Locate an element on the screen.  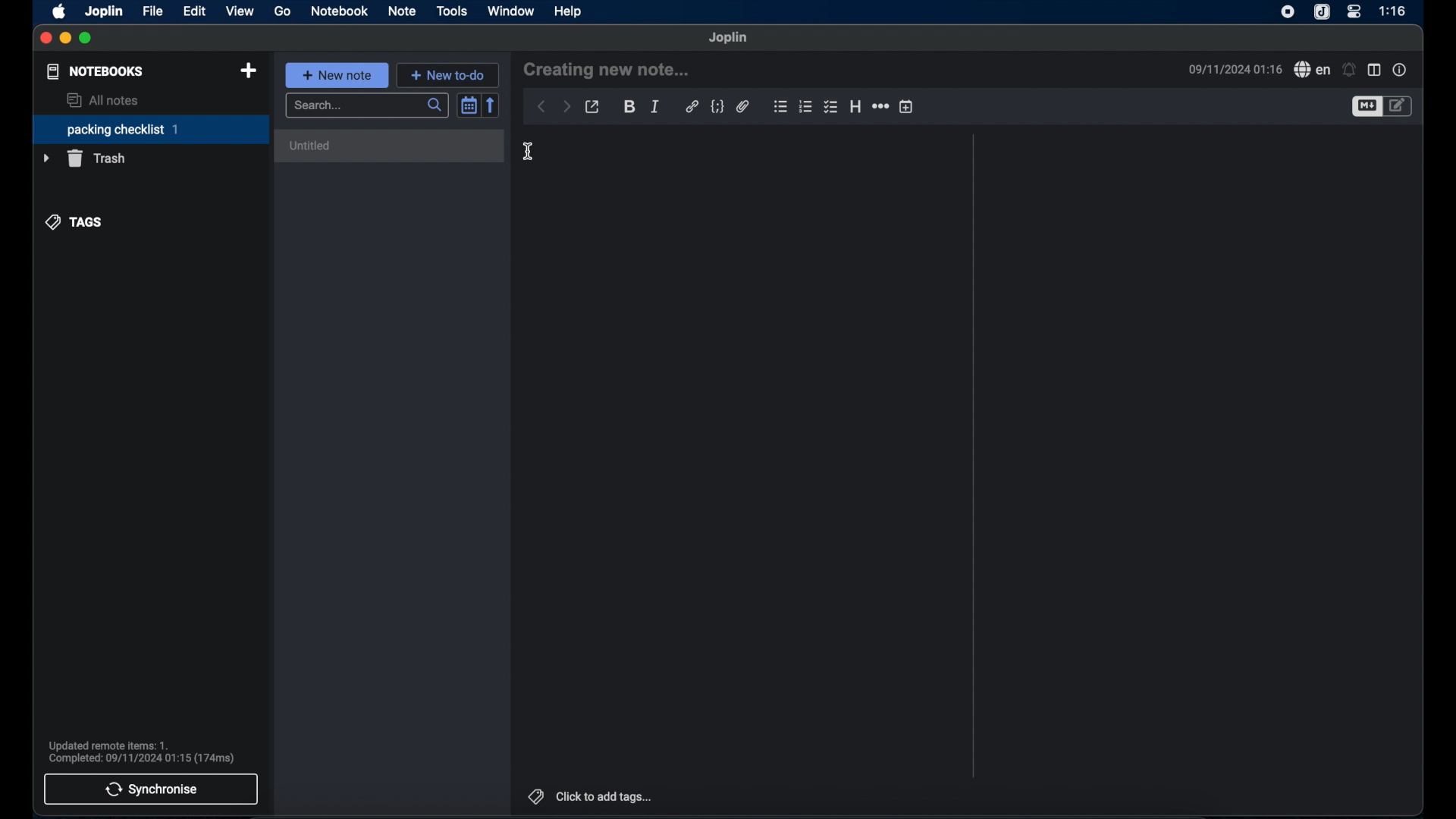
Updated remote items: 1.
Completed: 09/11/2024 01:15 (174ms) is located at coordinates (143, 749).